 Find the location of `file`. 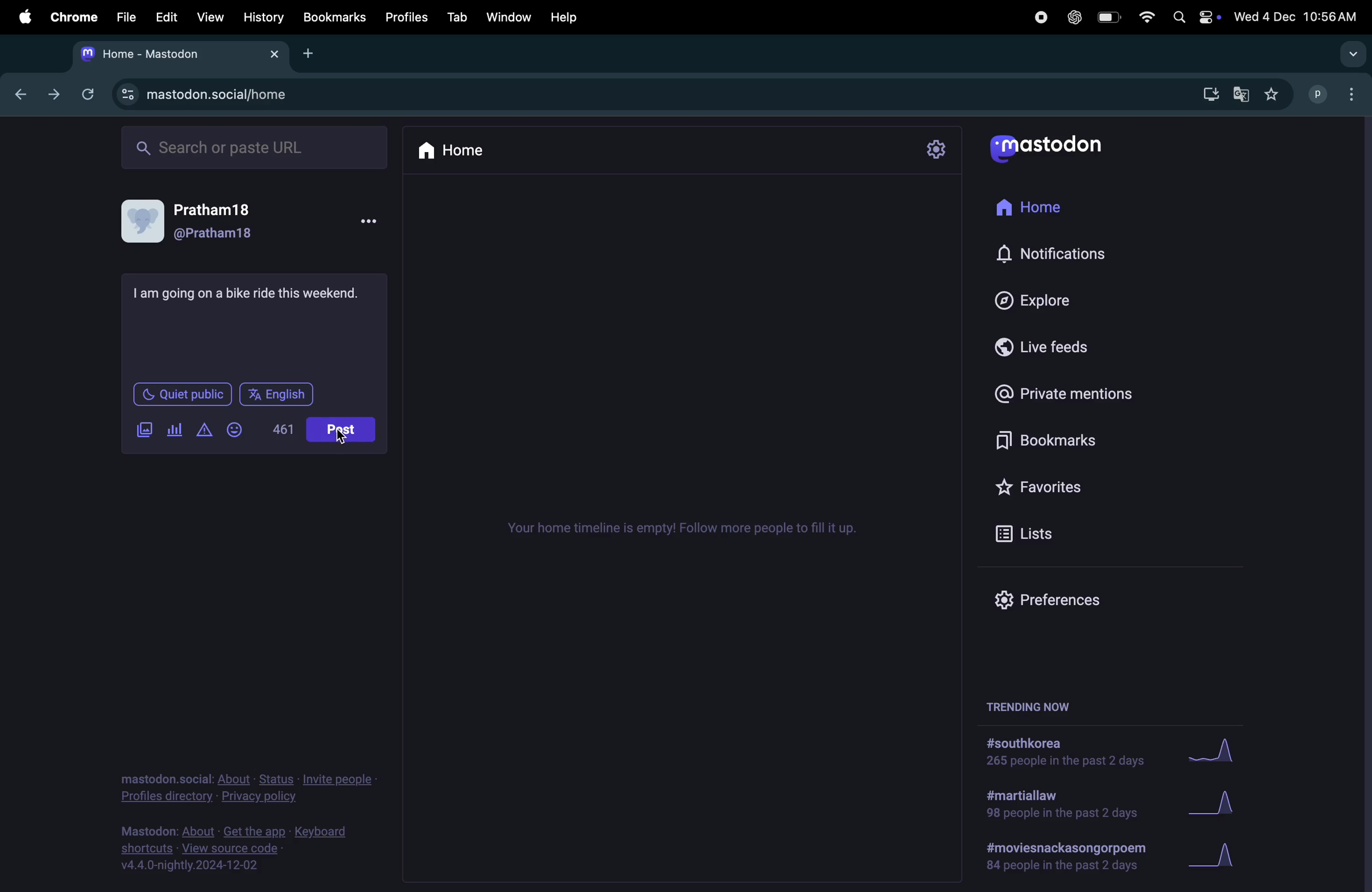

file is located at coordinates (124, 17).